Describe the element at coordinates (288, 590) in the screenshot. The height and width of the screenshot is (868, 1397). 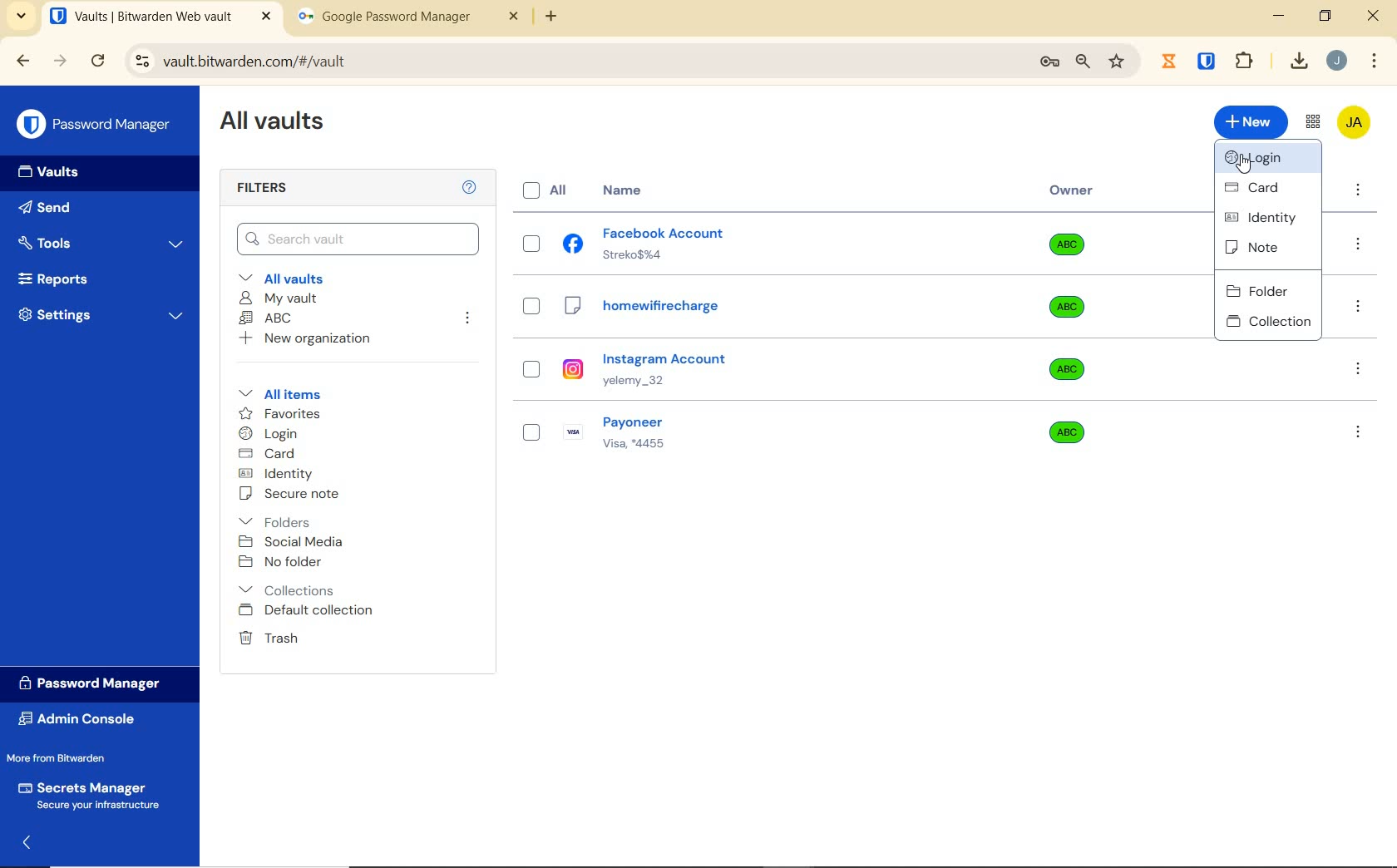
I see `collection` at that location.